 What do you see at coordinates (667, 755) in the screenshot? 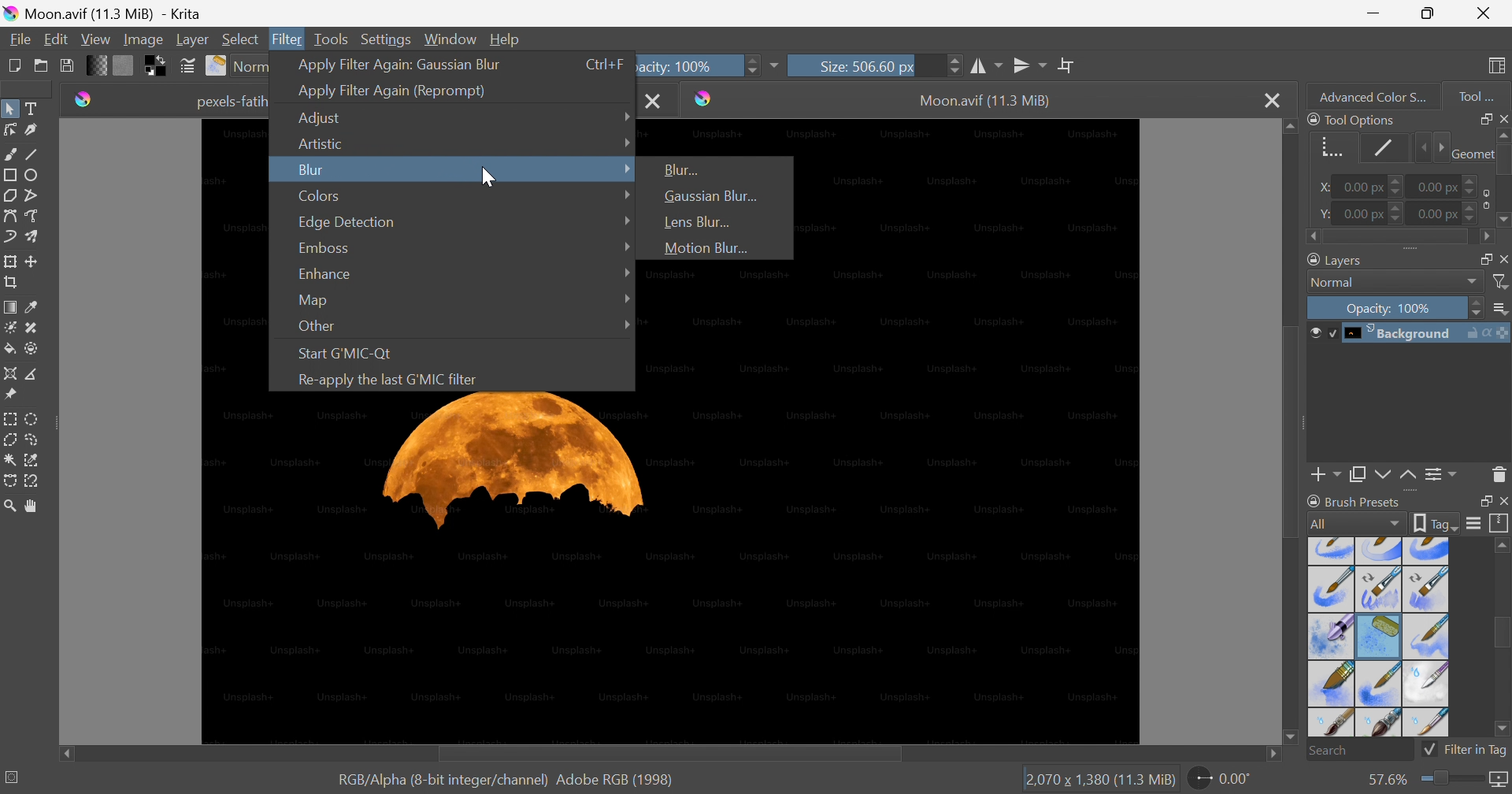
I see `Scroll bar` at bounding box center [667, 755].